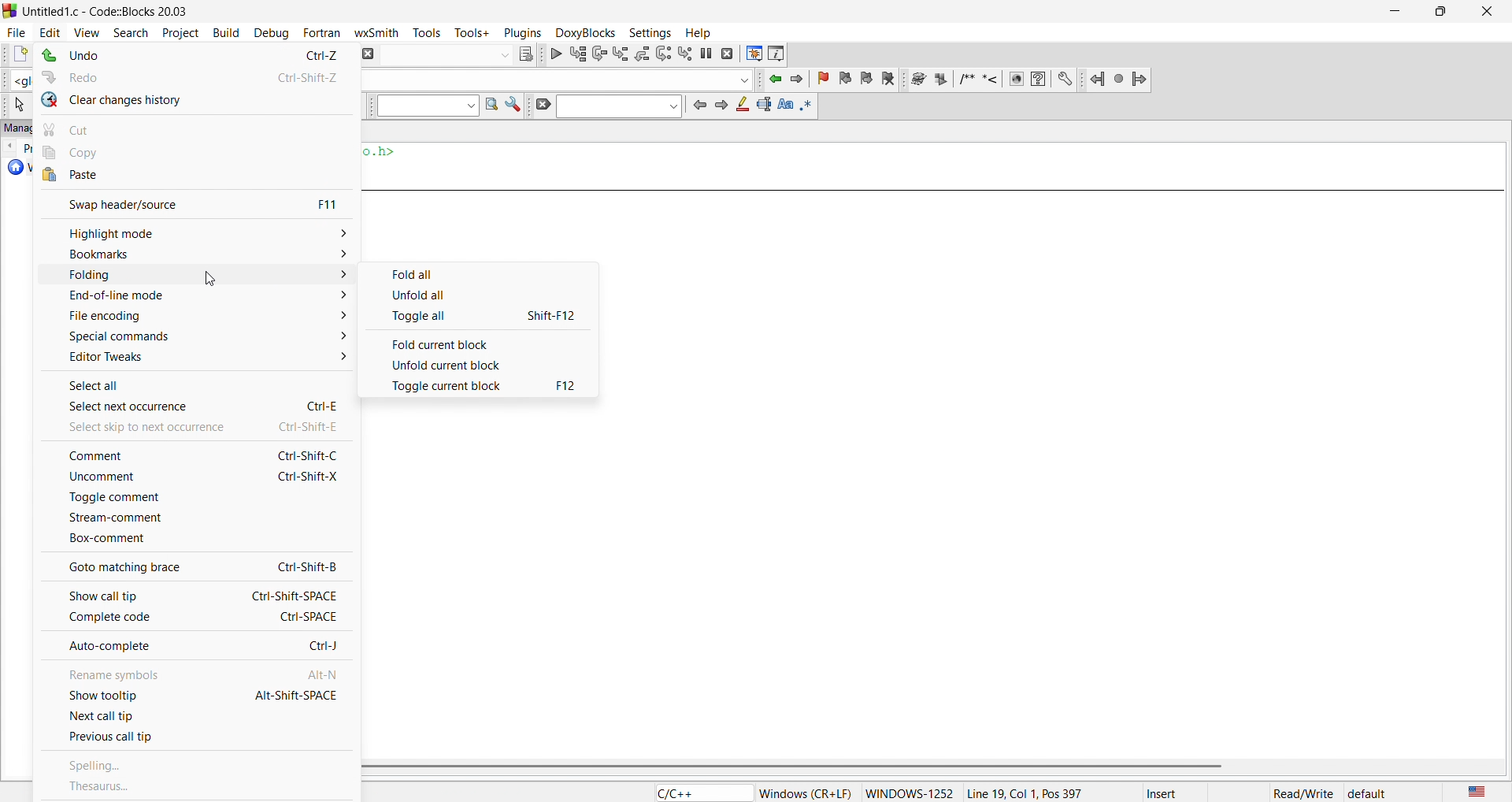 The width and height of the screenshot is (1512, 802). I want to click on selected text, so click(763, 105).